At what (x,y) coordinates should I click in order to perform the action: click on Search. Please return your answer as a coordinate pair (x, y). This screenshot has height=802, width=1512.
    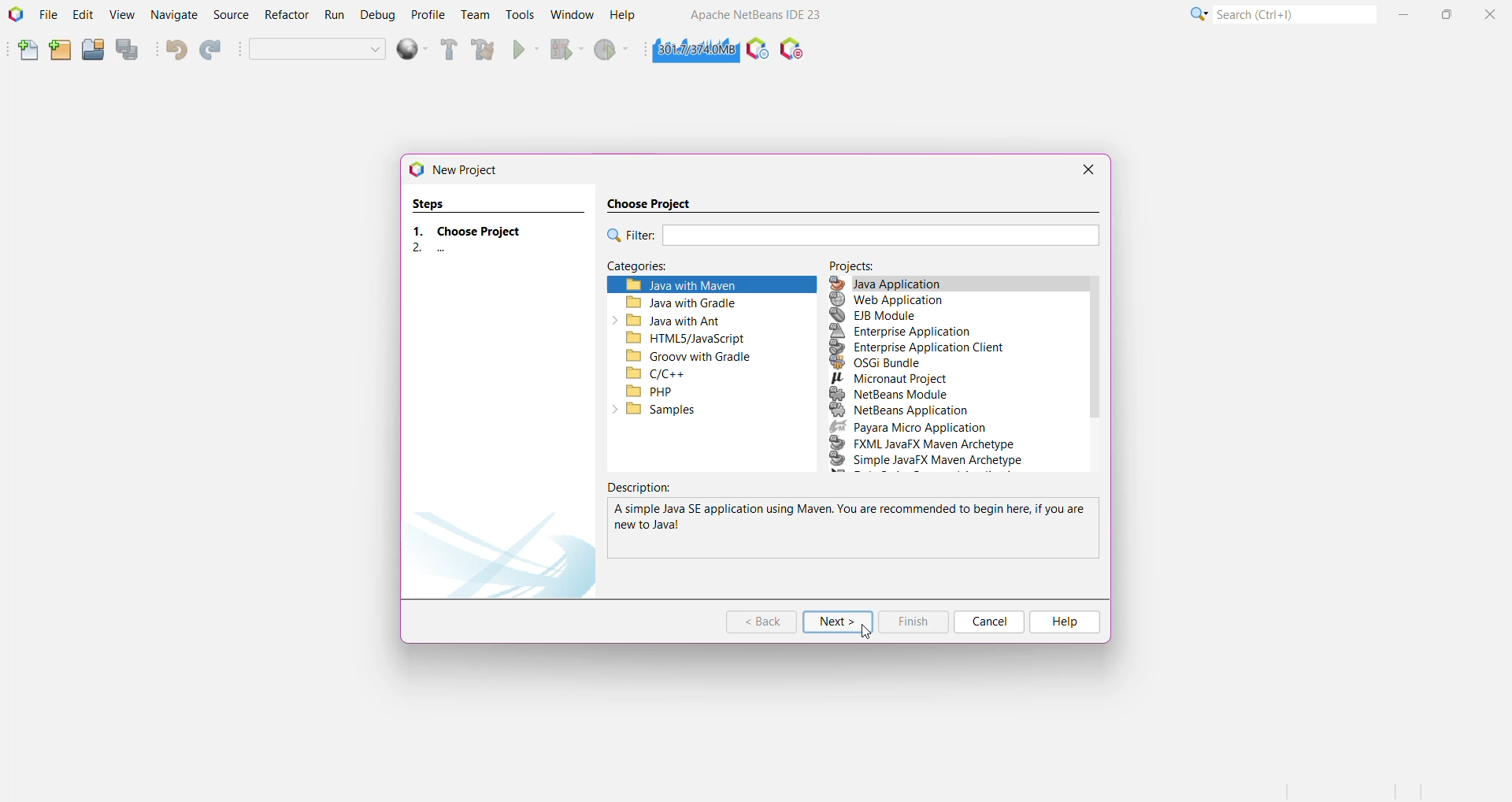
    Looking at the image, I should click on (1295, 17).